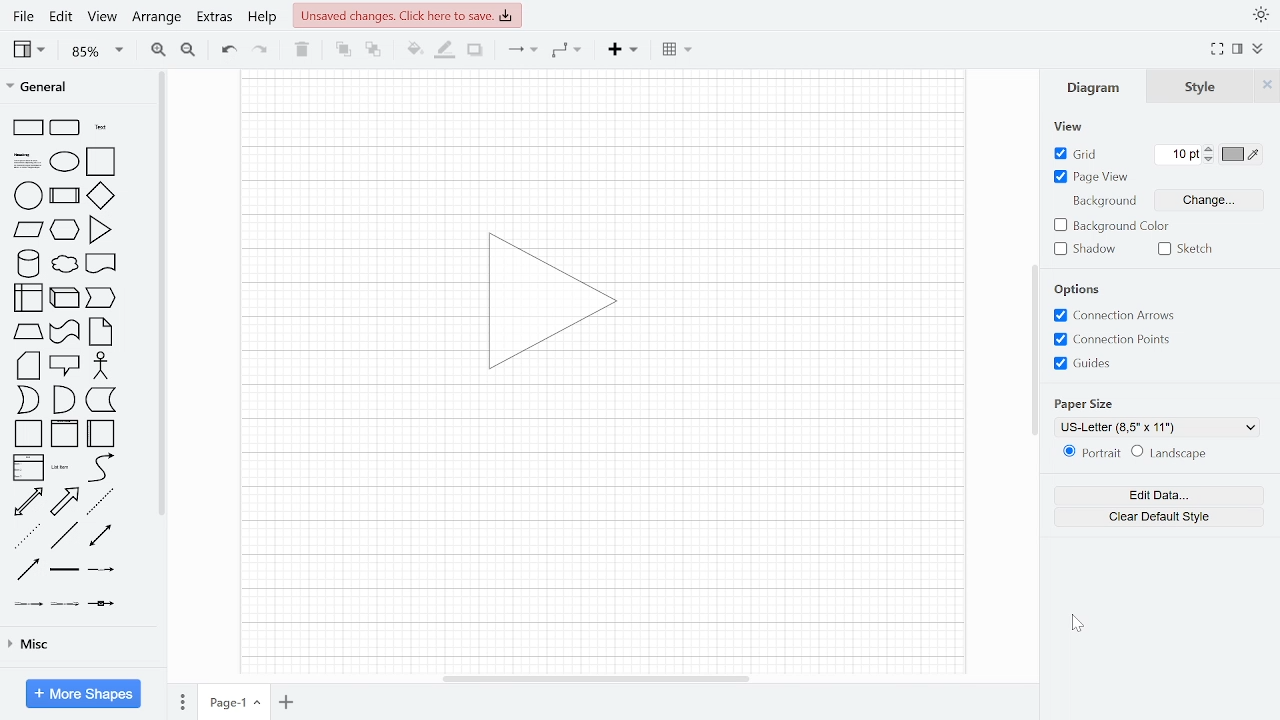  What do you see at coordinates (81, 645) in the screenshot?
I see `Misc` at bounding box center [81, 645].